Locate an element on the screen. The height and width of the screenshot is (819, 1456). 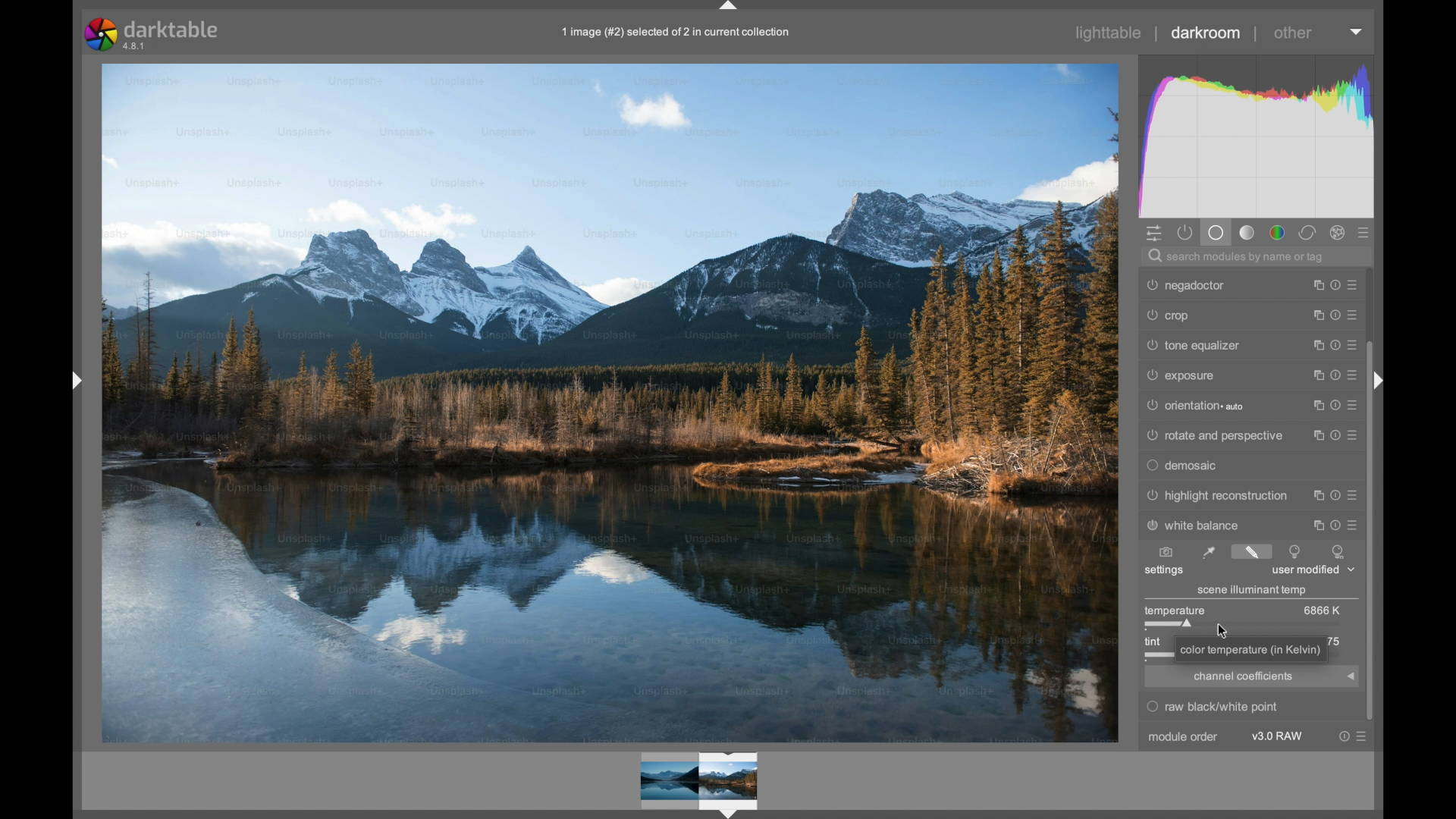
reset parameters is located at coordinates (1334, 341).